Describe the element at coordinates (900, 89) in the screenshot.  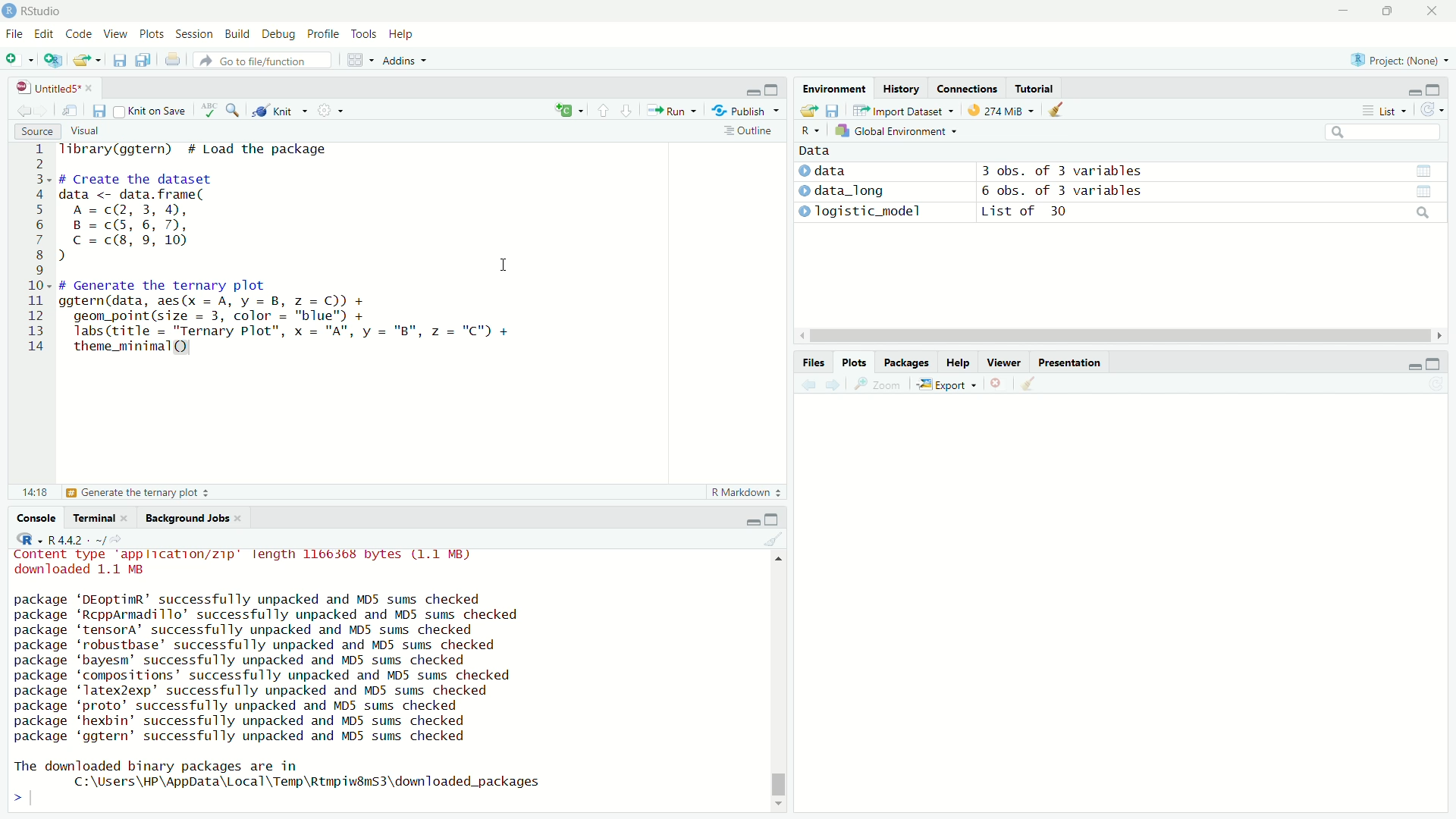
I see `History` at that location.